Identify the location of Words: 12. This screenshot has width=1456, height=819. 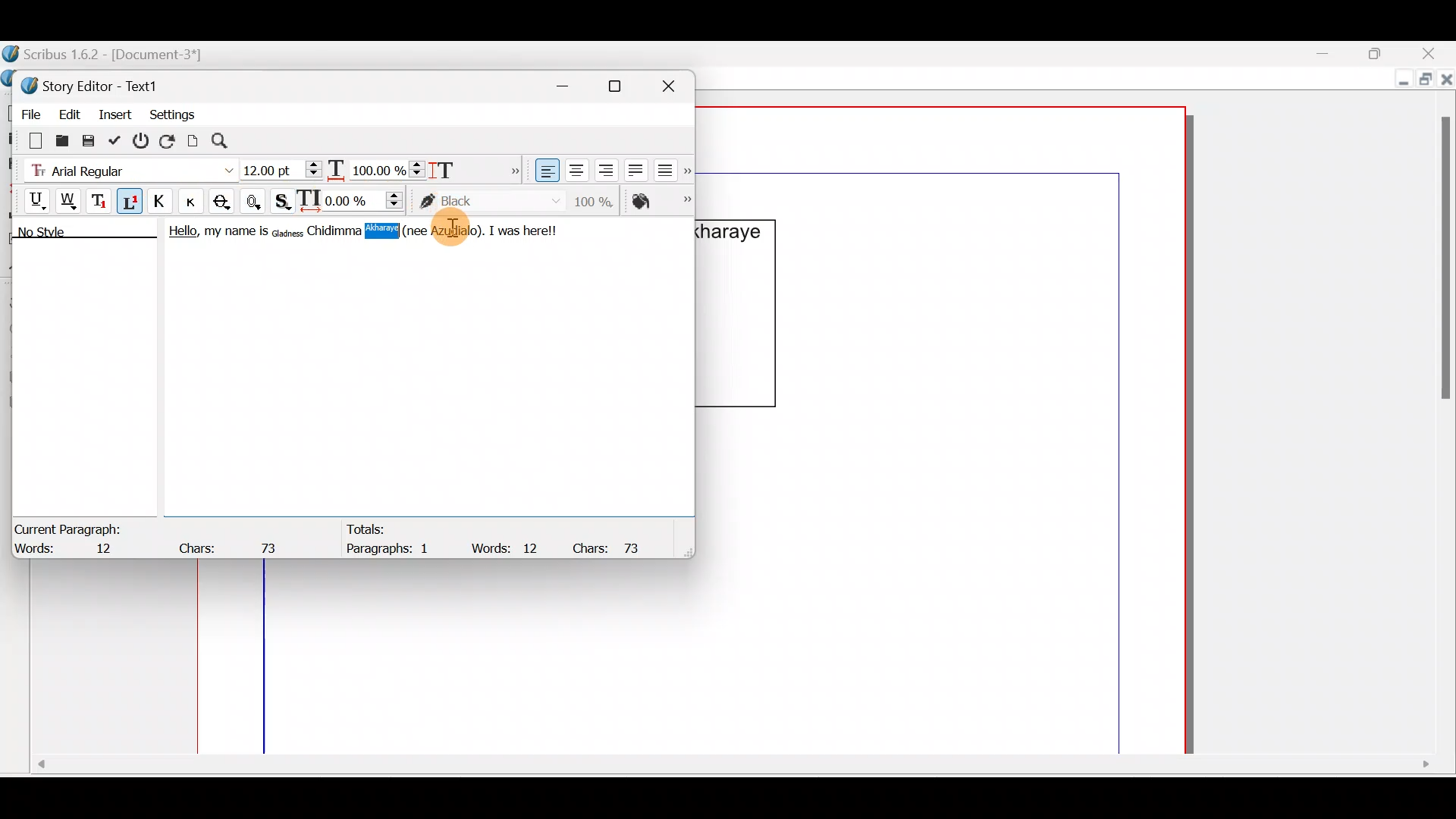
(508, 548).